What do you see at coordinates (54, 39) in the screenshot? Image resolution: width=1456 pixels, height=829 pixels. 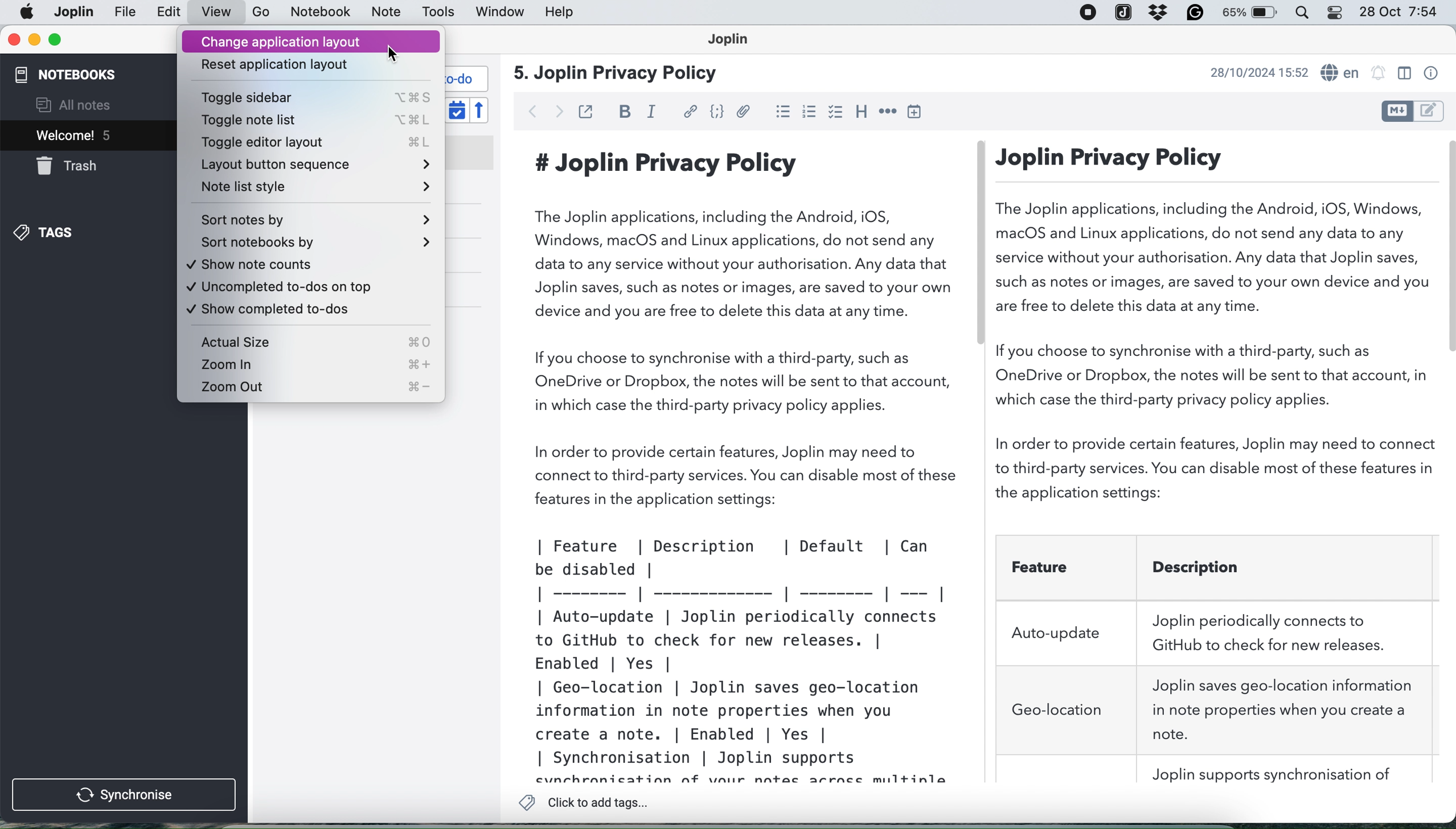 I see `maximise` at bounding box center [54, 39].